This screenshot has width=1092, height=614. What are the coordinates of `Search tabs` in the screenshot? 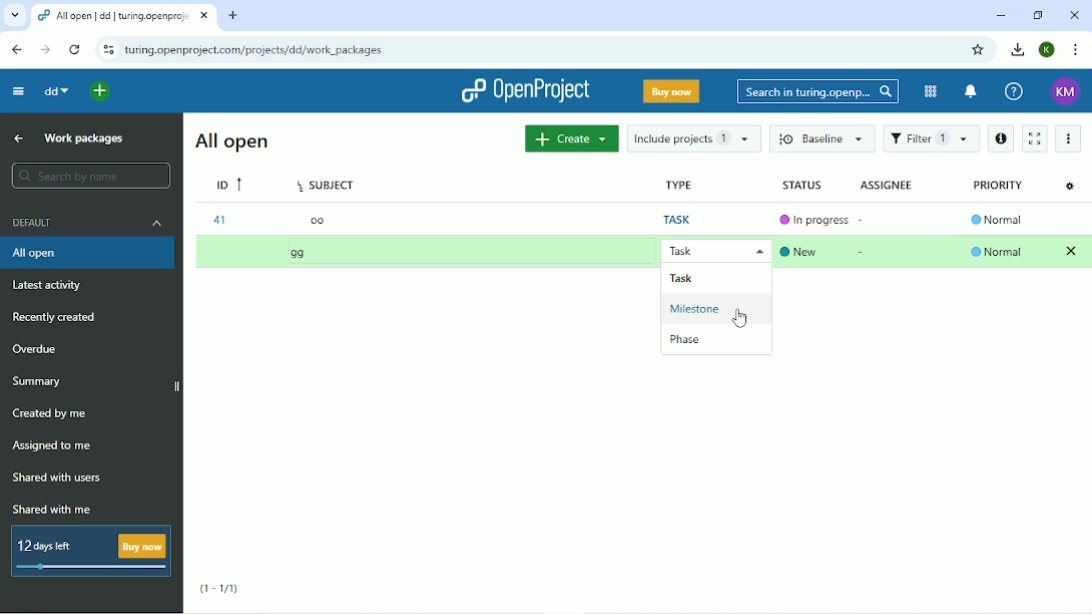 It's located at (14, 15).